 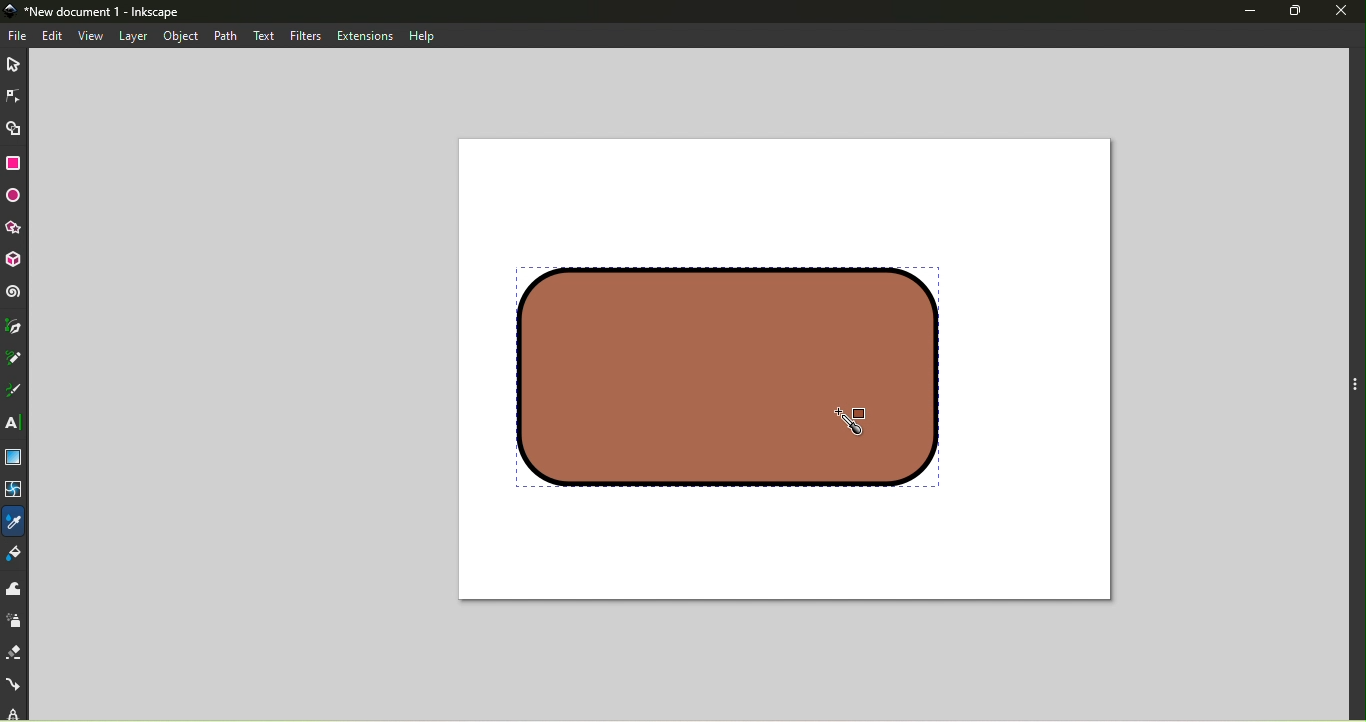 What do you see at coordinates (111, 12) in the screenshot?
I see `New document 1 - Inkscape` at bounding box center [111, 12].